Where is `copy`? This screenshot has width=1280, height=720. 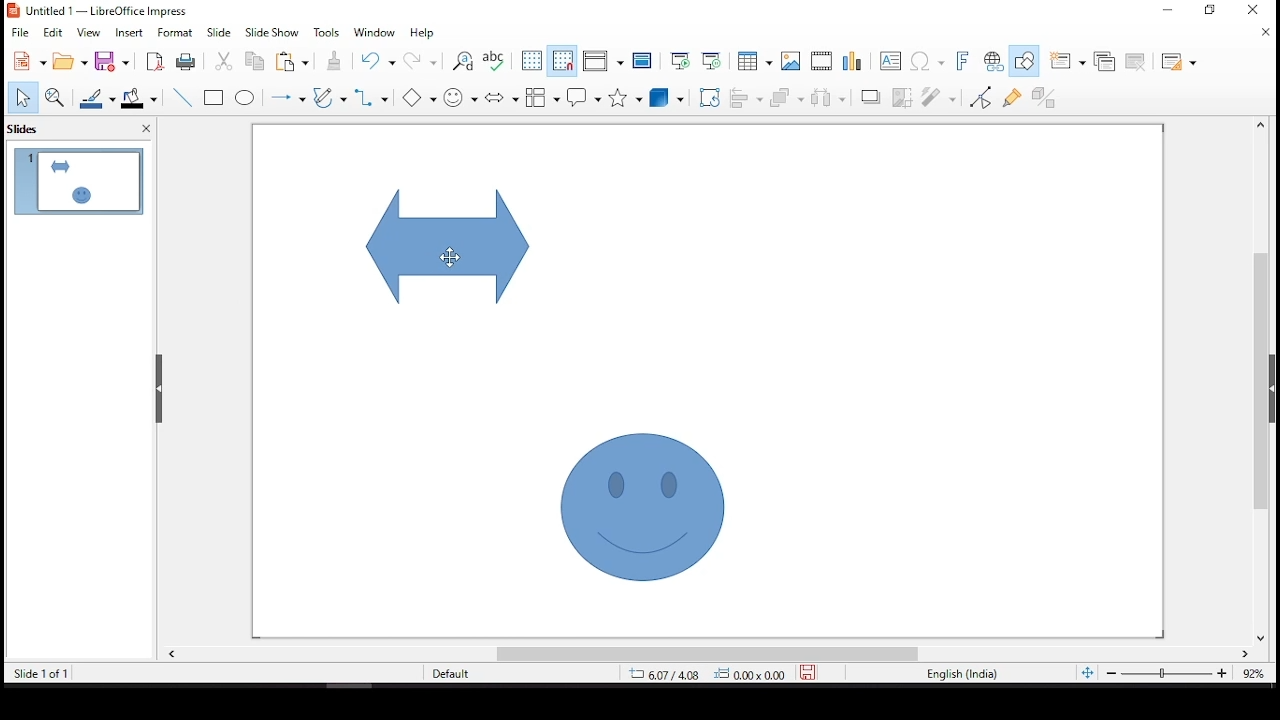 copy is located at coordinates (256, 62).